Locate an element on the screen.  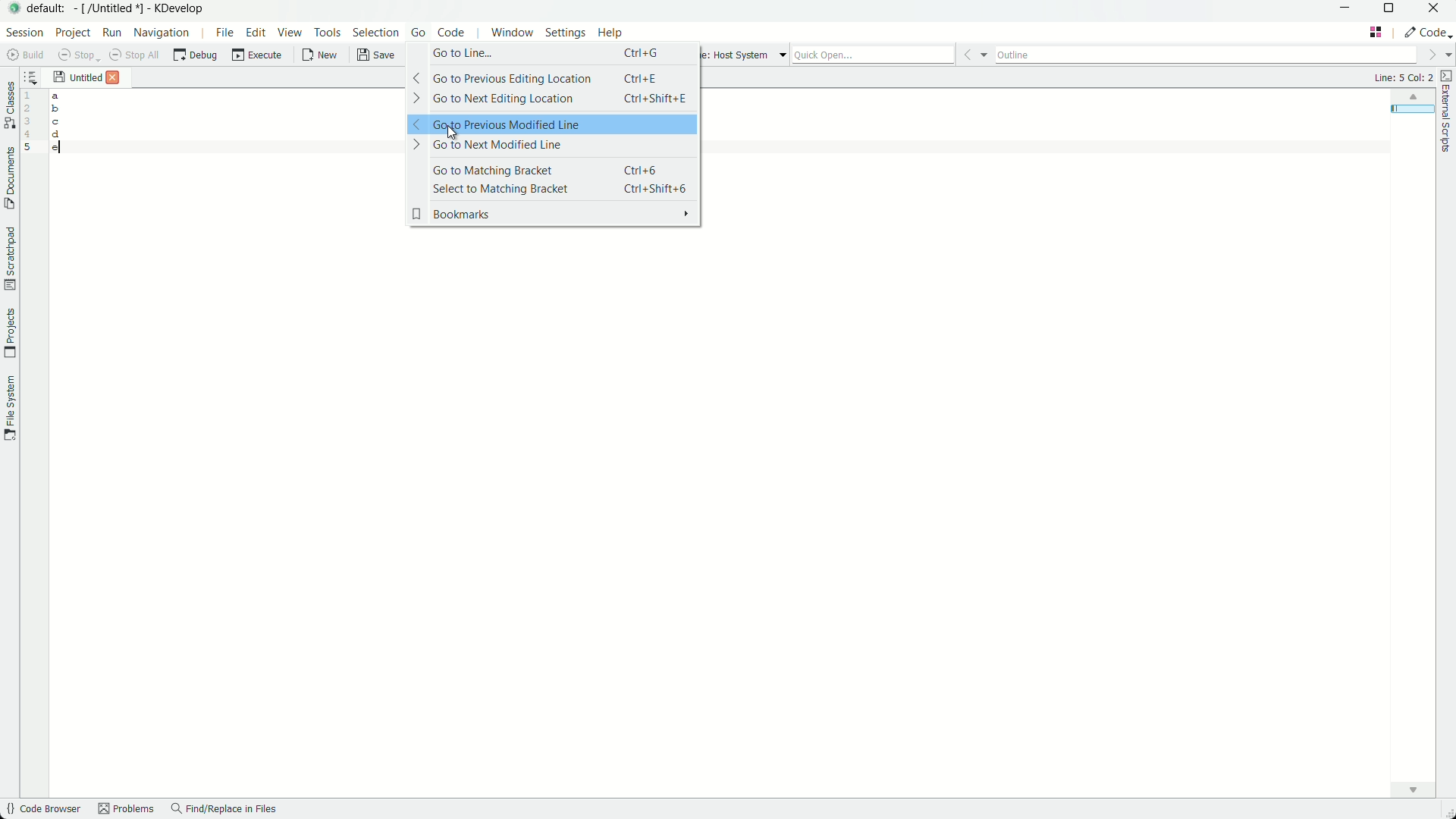
tools is located at coordinates (328, 34).